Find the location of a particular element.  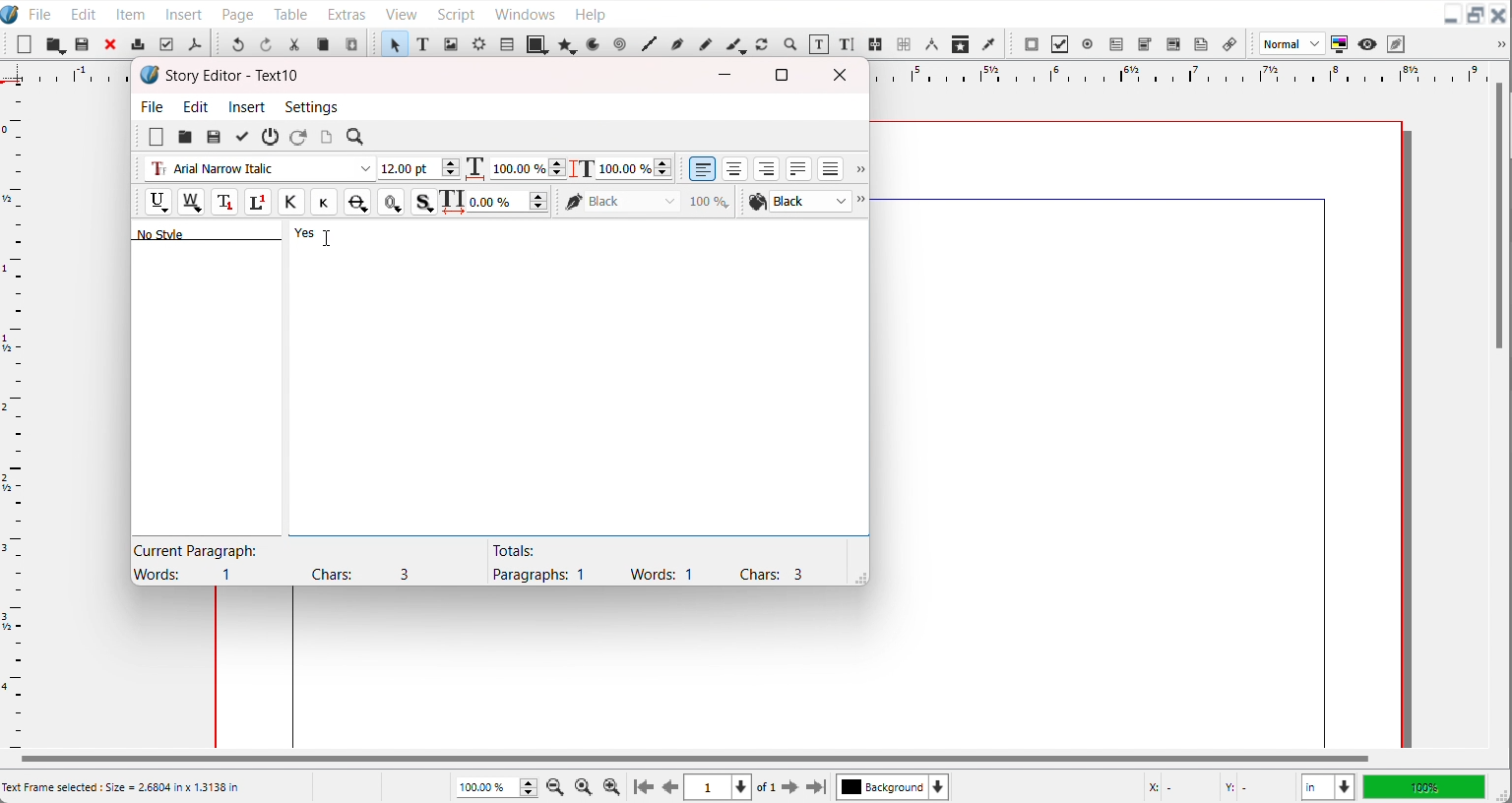

Close is located at coordinates (1499, 16).